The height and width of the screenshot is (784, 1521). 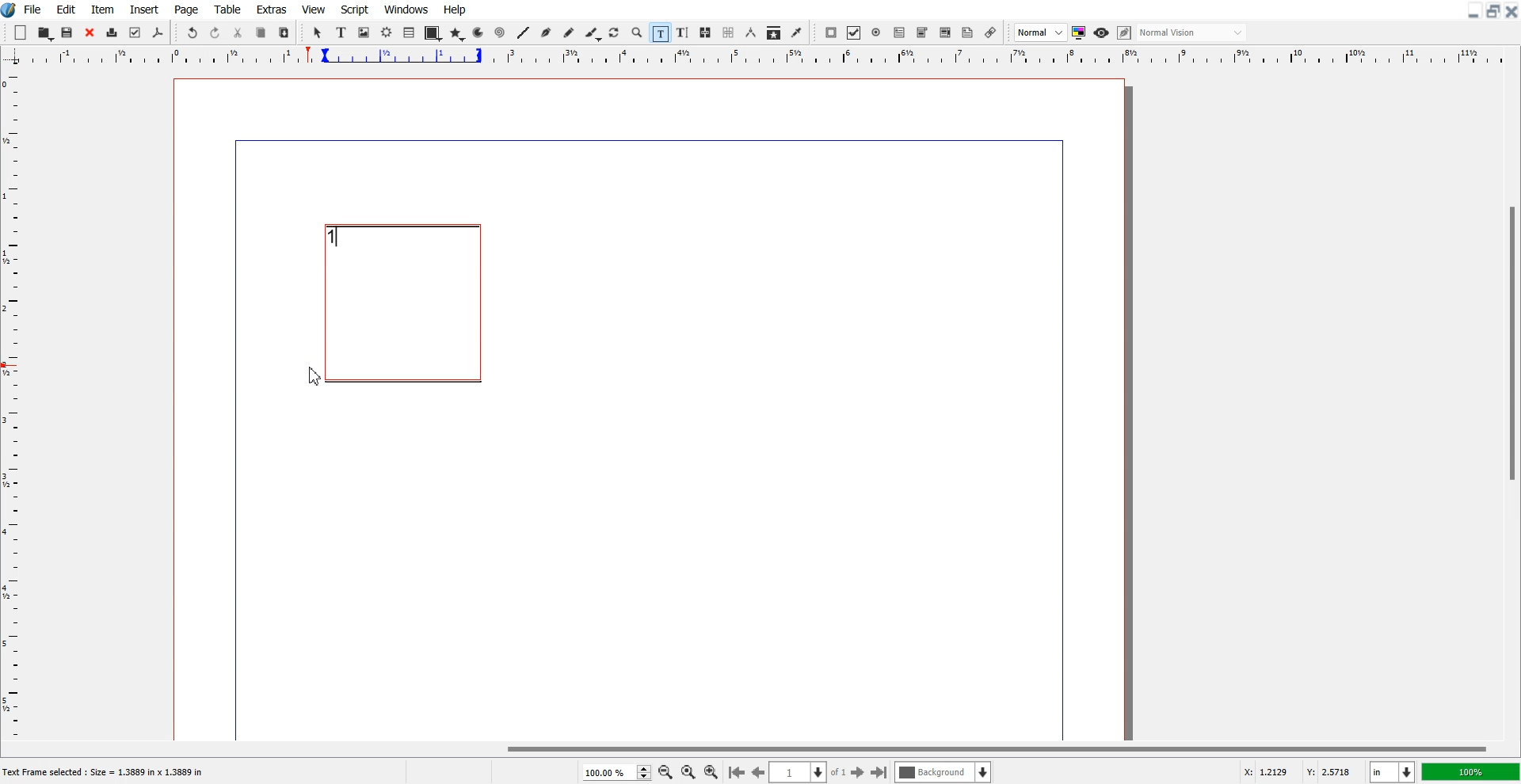 What do you see at coordinates (808, 772) in the screenshot?
I see `Select current page` at bounding box center [808, 772].